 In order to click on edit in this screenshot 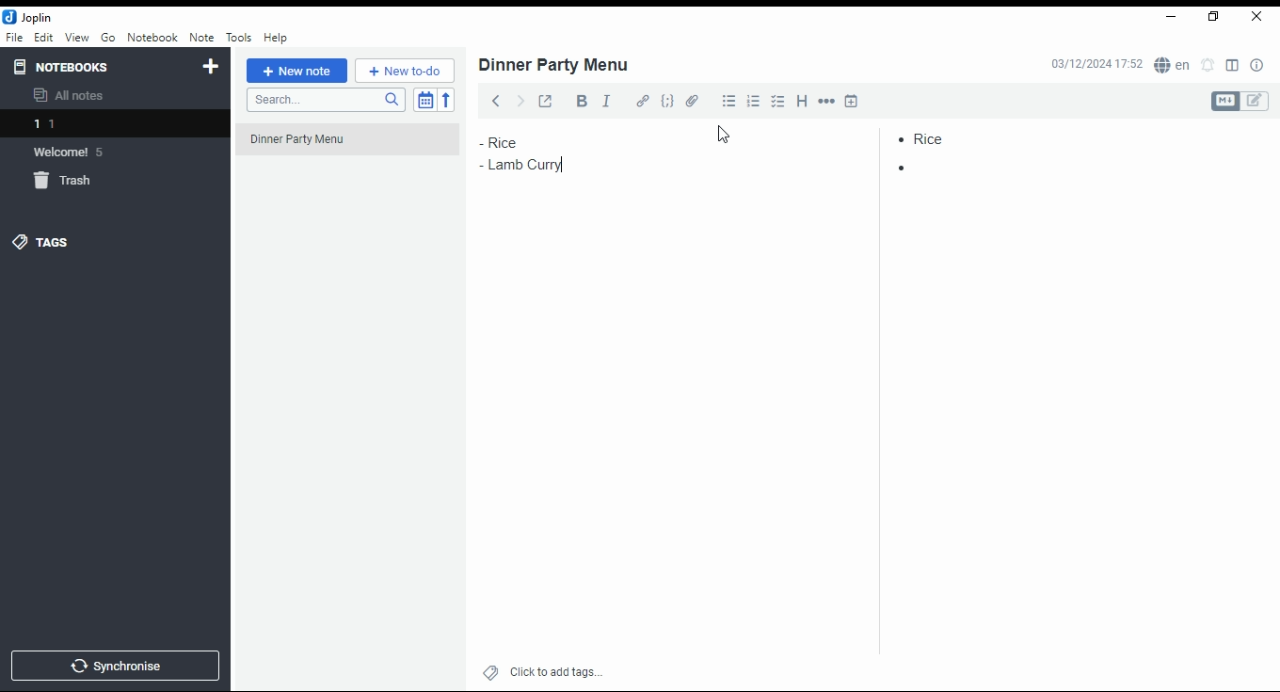, I will do `click(44, 37)`.